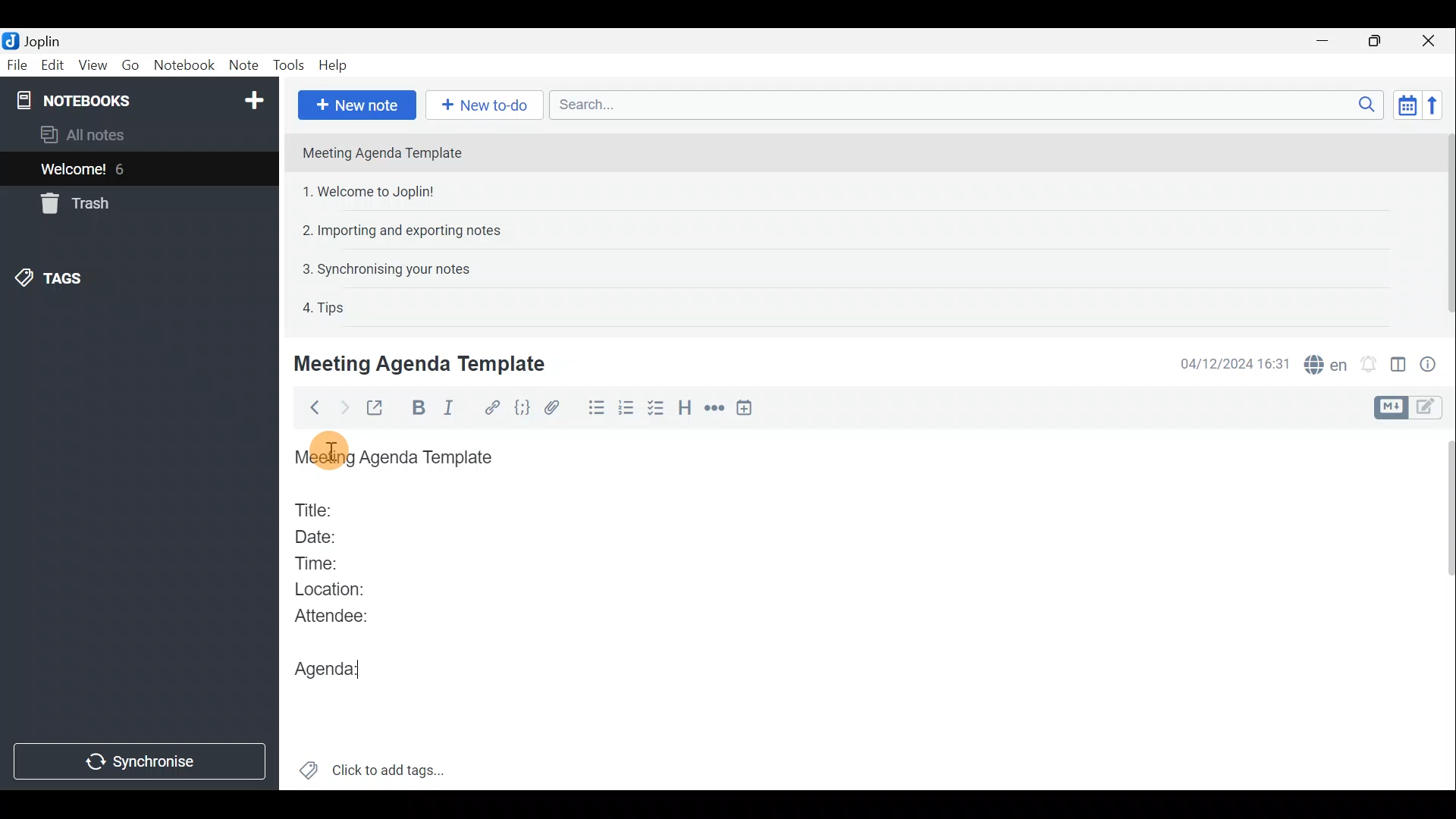 Image resolution: width=1456 pixels, height=819 pixels. I want to click on Attendee:, so click(343, 615).